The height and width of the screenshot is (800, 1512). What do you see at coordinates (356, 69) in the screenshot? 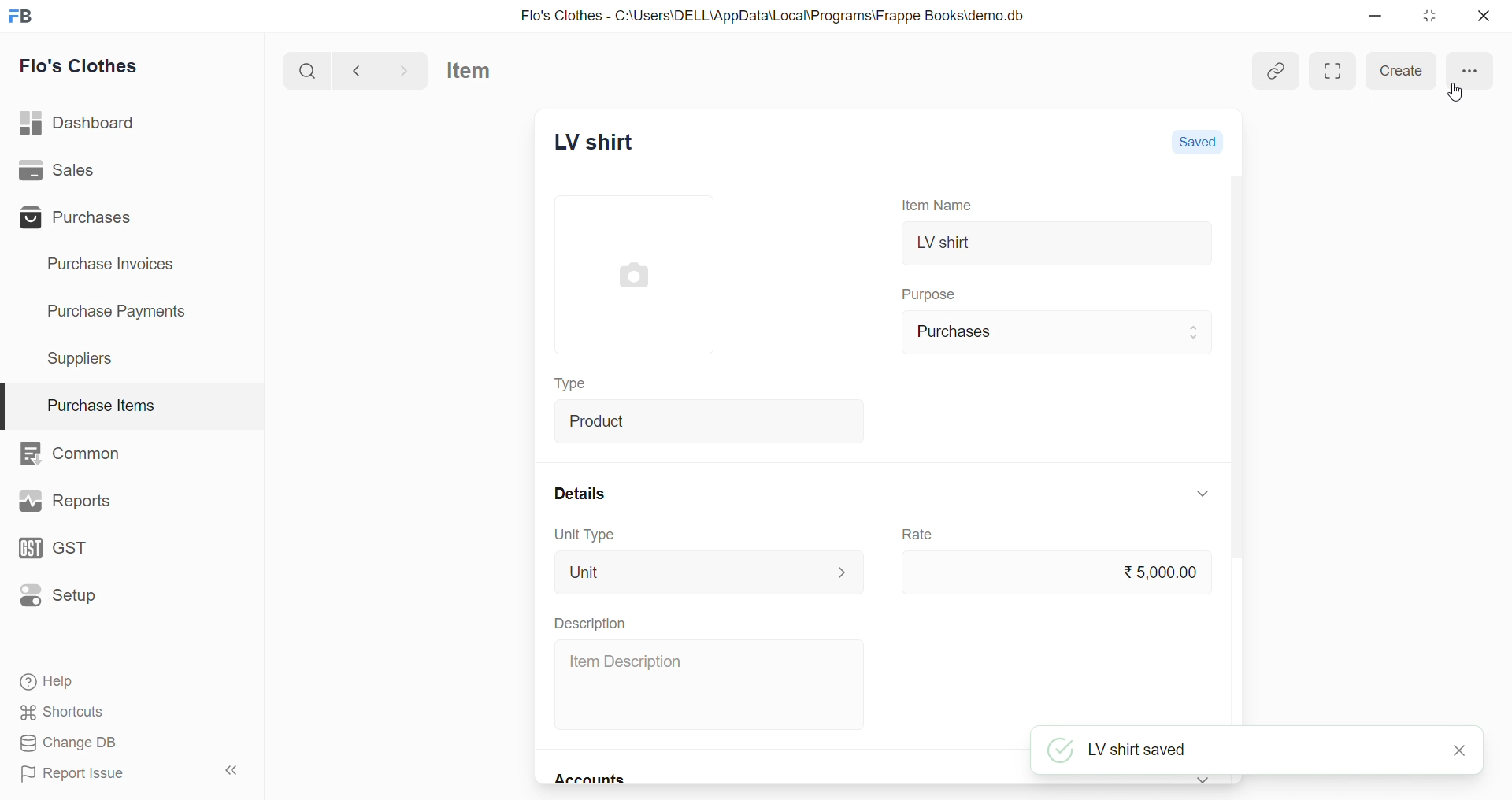
I see `navigate backward` at bounding box center [356, 69].